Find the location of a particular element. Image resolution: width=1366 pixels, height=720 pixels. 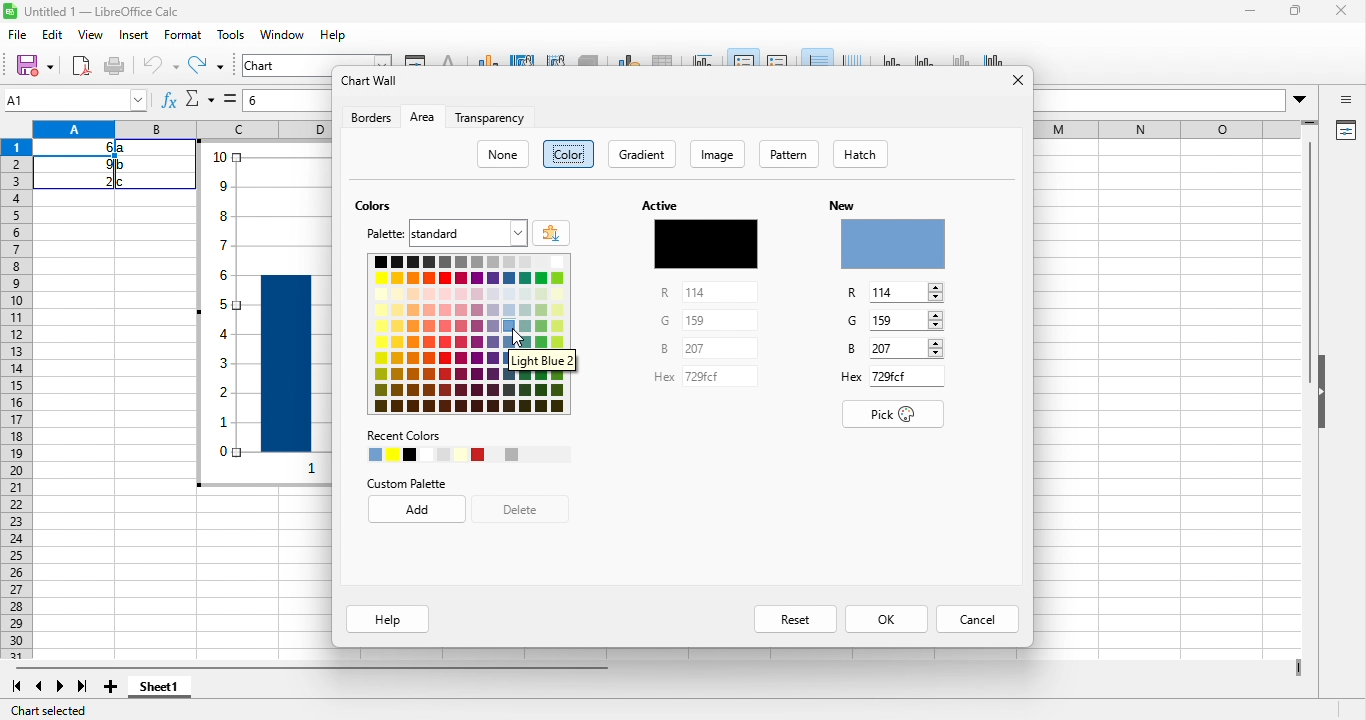

B is located at coordinates (665, 351).